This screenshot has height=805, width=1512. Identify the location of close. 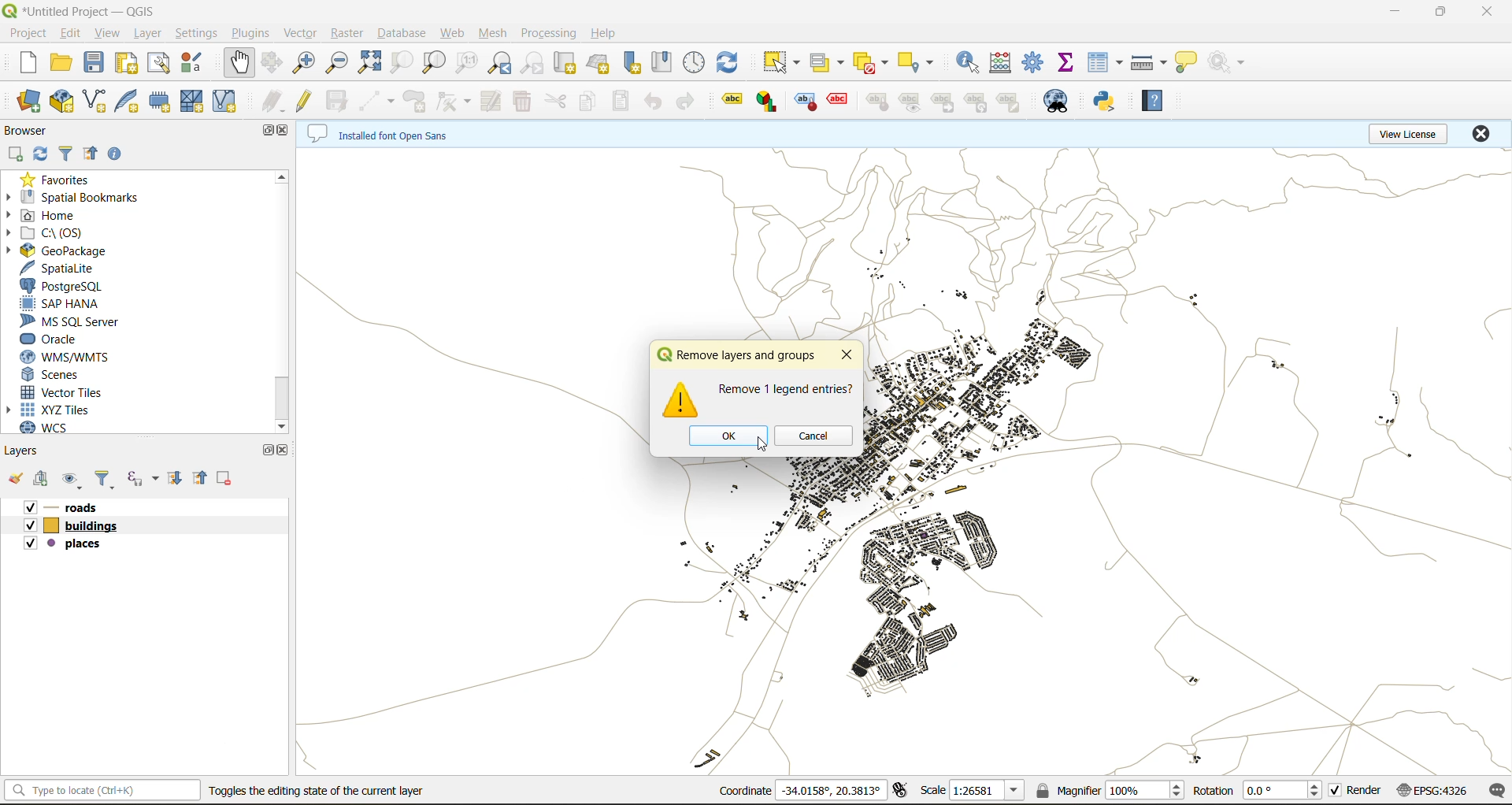
(1479, 135).